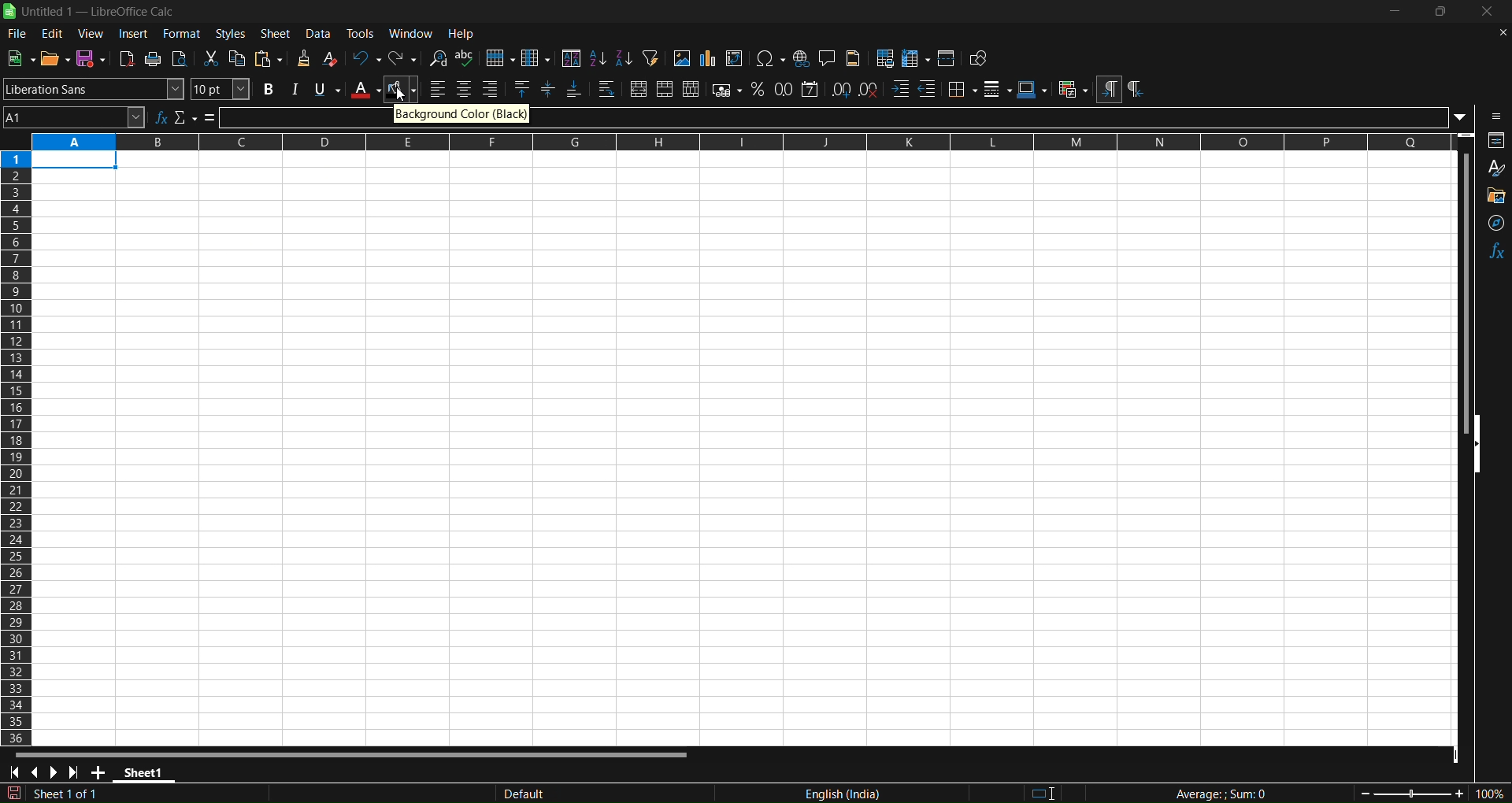 This screenshot has width=1512, height=803. I want to click on Text language, so click(862, 790).